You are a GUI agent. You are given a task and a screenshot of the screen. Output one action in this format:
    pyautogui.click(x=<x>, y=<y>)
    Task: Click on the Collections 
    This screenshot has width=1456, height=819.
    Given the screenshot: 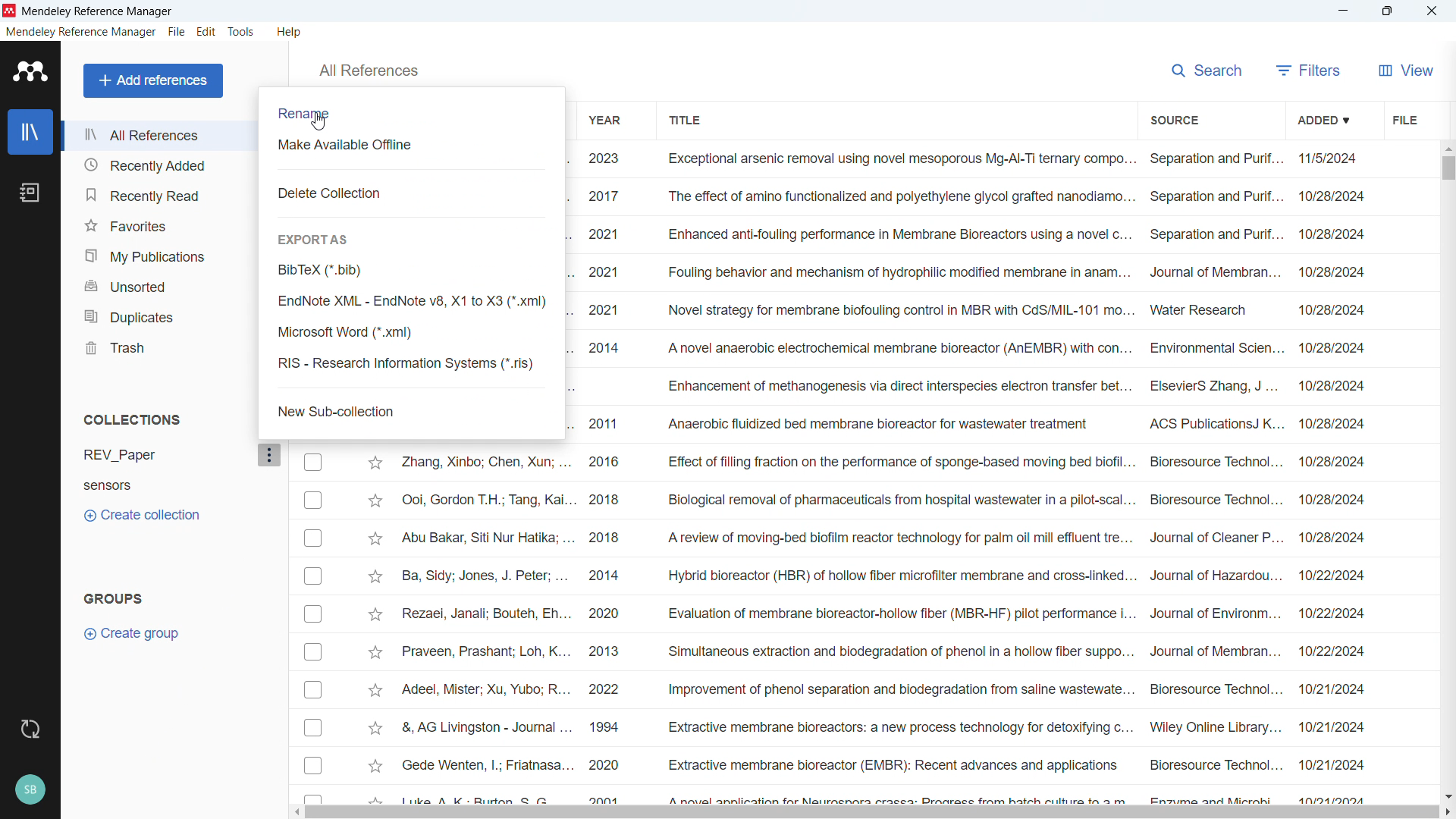 What is the action you would take?
    pyautogui.click(x=133, y=420)
    